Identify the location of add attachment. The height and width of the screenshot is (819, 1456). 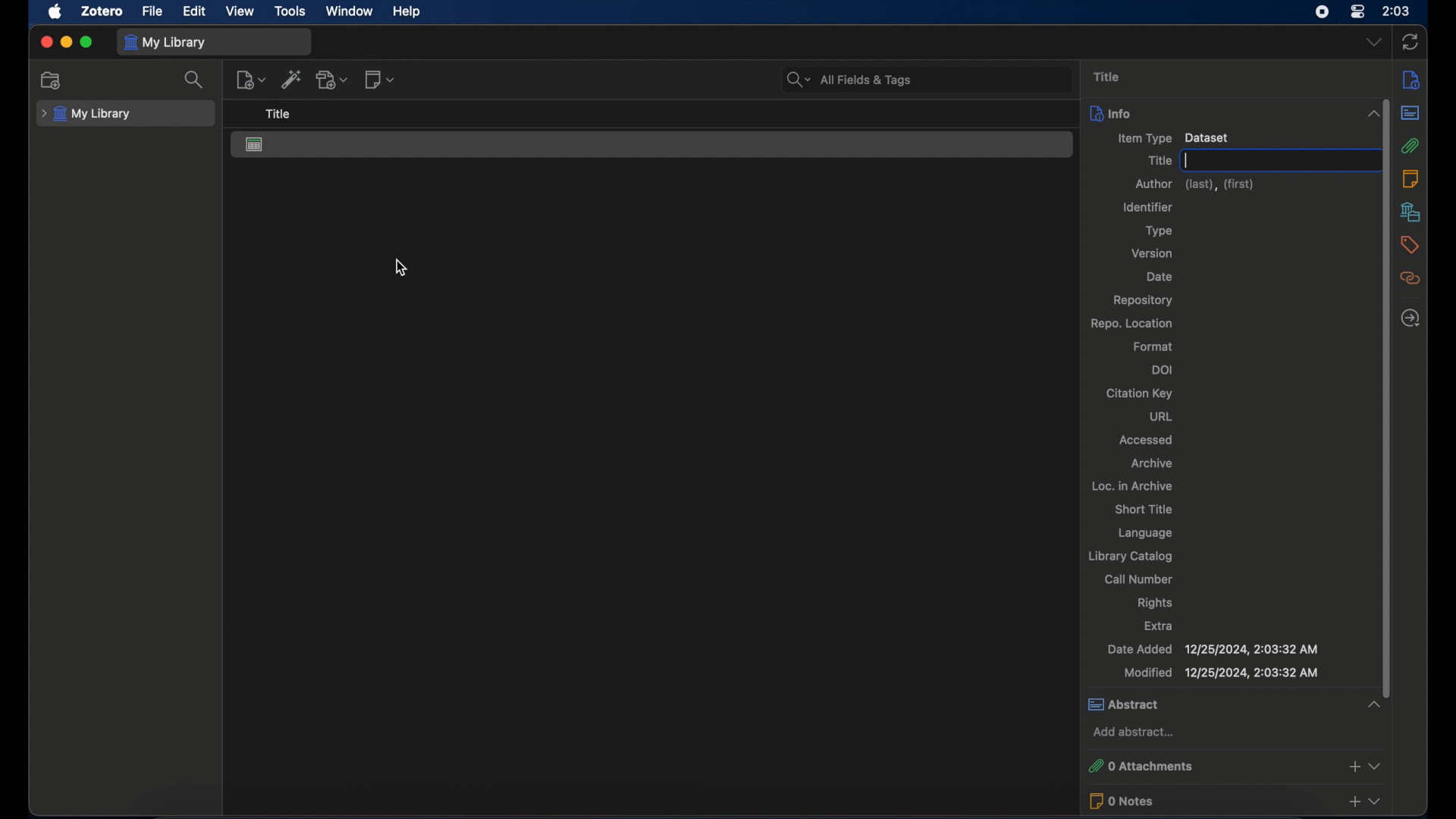
(334, 80).